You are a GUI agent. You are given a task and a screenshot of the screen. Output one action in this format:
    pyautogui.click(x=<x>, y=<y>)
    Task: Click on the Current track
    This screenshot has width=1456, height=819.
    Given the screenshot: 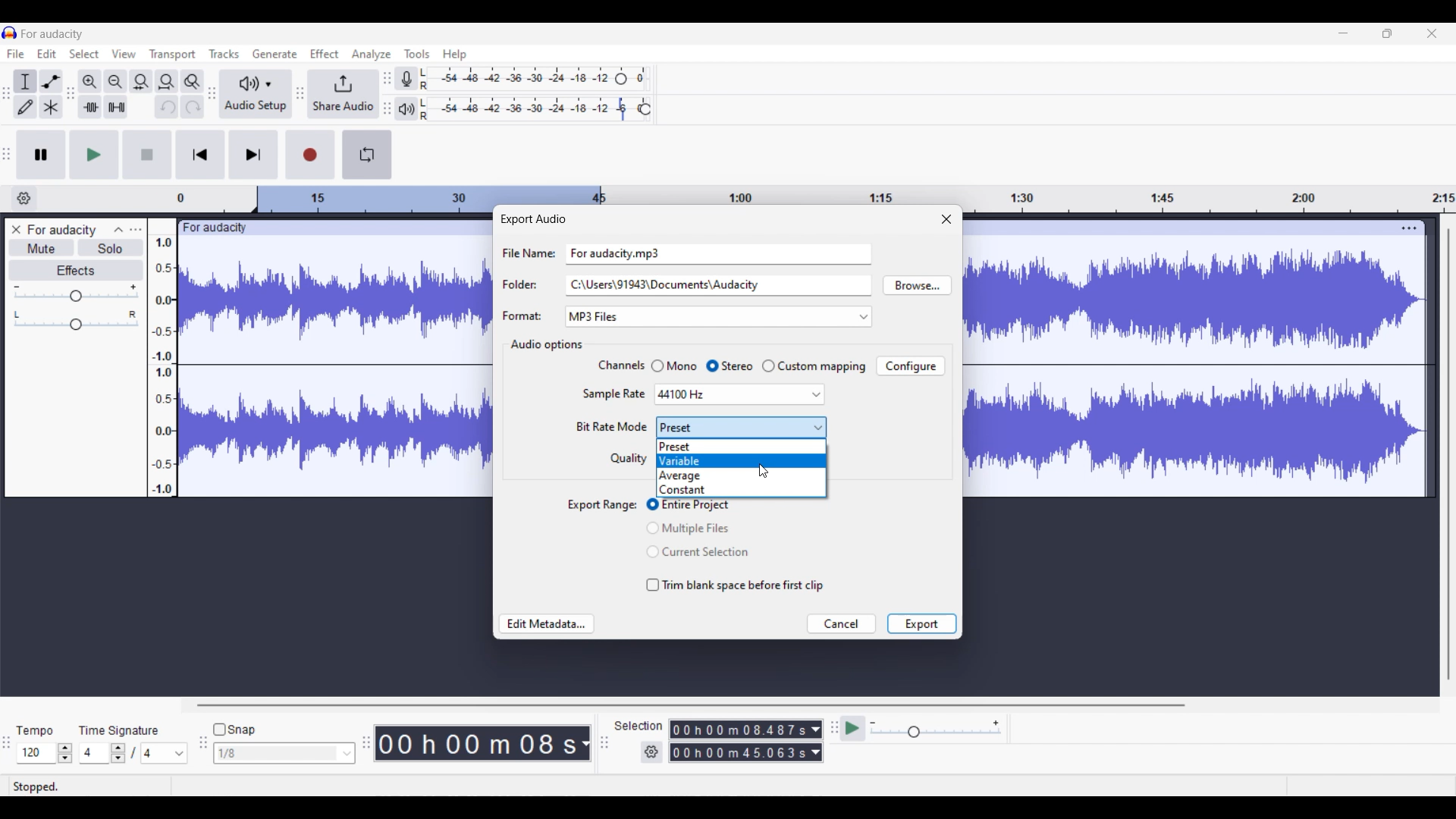 What is the action you would take?
    pyautogui.click(x=1181, y=359)
    